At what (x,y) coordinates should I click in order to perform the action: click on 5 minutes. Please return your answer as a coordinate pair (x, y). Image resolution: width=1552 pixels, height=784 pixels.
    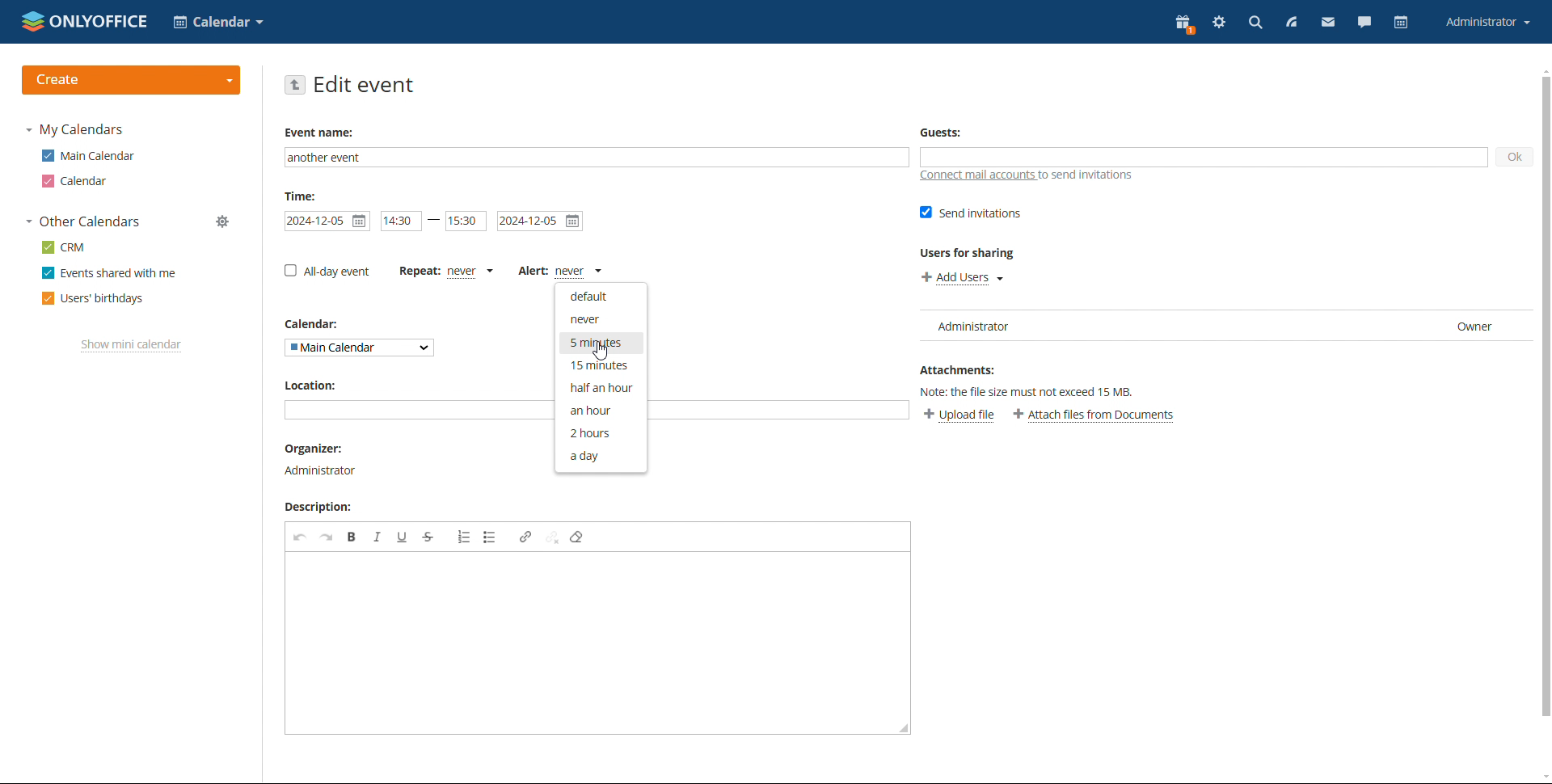
    Looking at the image, I should click on (601, 343).